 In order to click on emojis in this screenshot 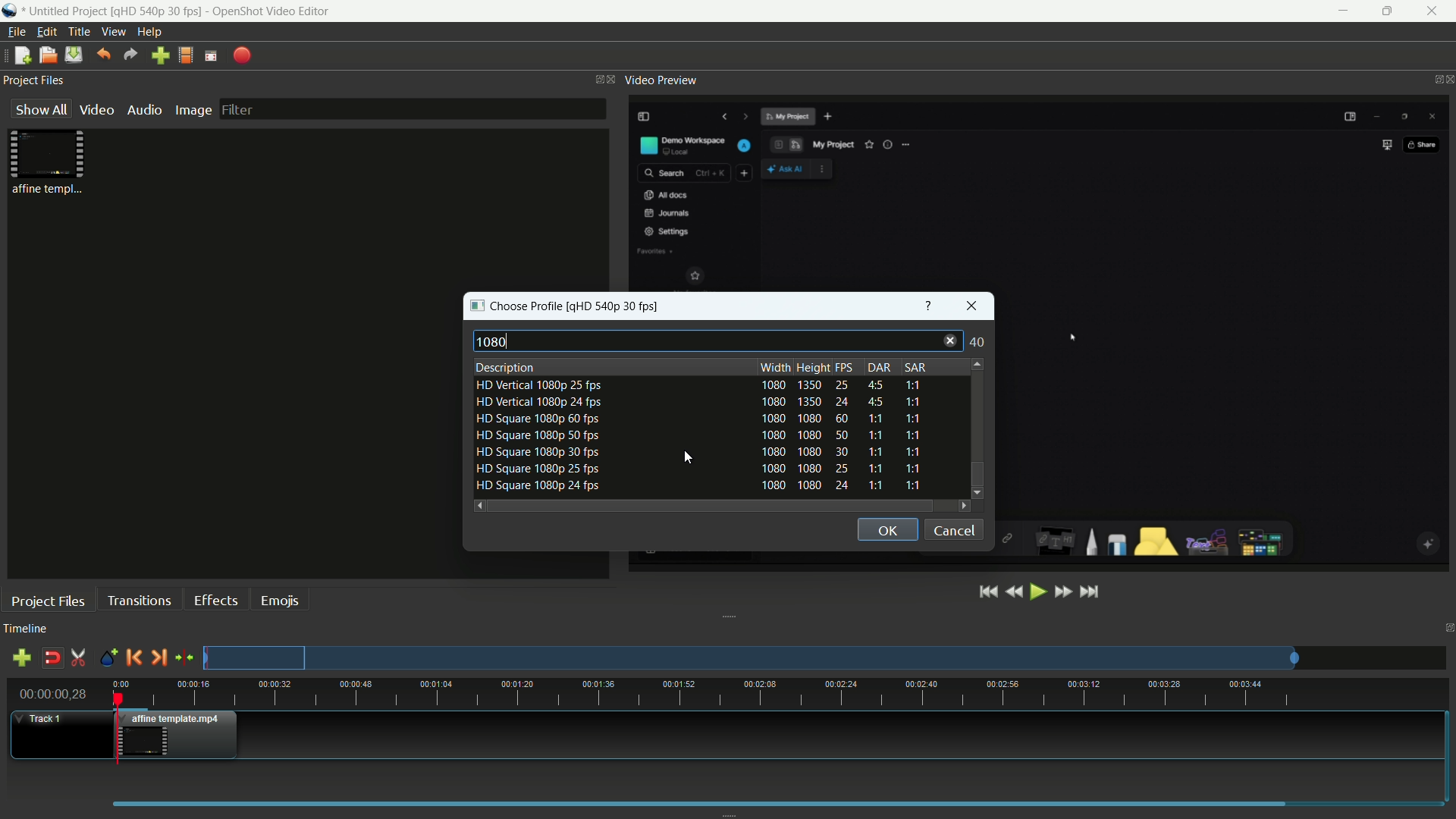, I will do `click(280, 601)`.